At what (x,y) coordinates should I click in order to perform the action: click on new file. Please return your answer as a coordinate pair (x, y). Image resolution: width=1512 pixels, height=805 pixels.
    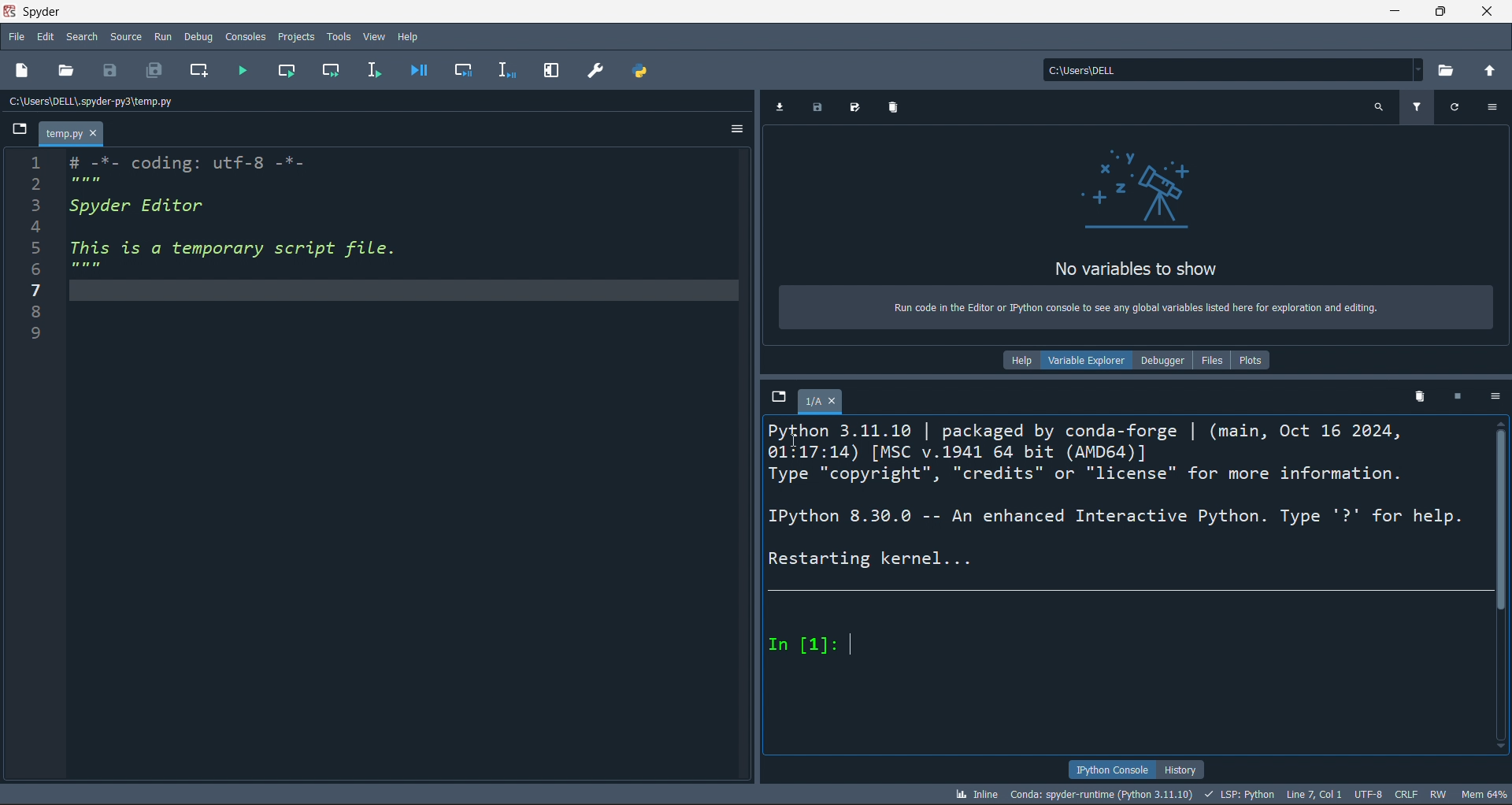
    Looking at the image, I should click on (22, 72).